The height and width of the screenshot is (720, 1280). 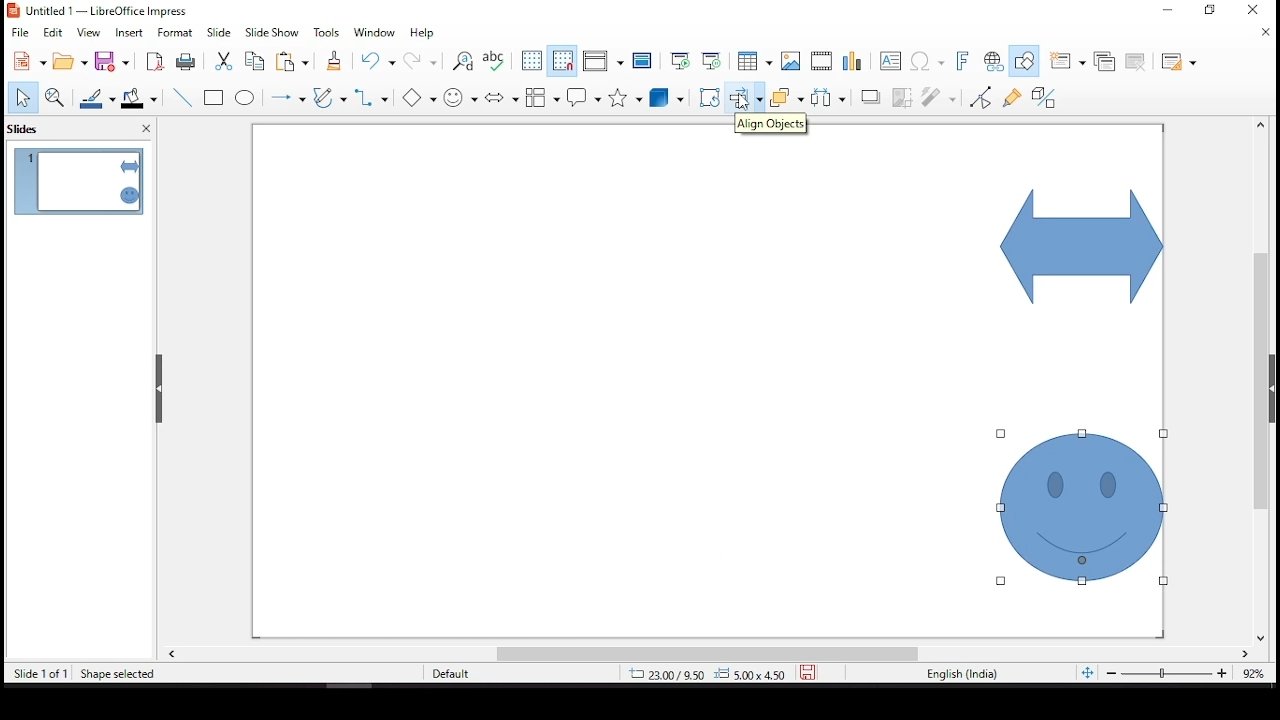 What do you see at coordinates (1257, 9) in the screenshot?
I see `close window` at bounding box center [1257, 9].